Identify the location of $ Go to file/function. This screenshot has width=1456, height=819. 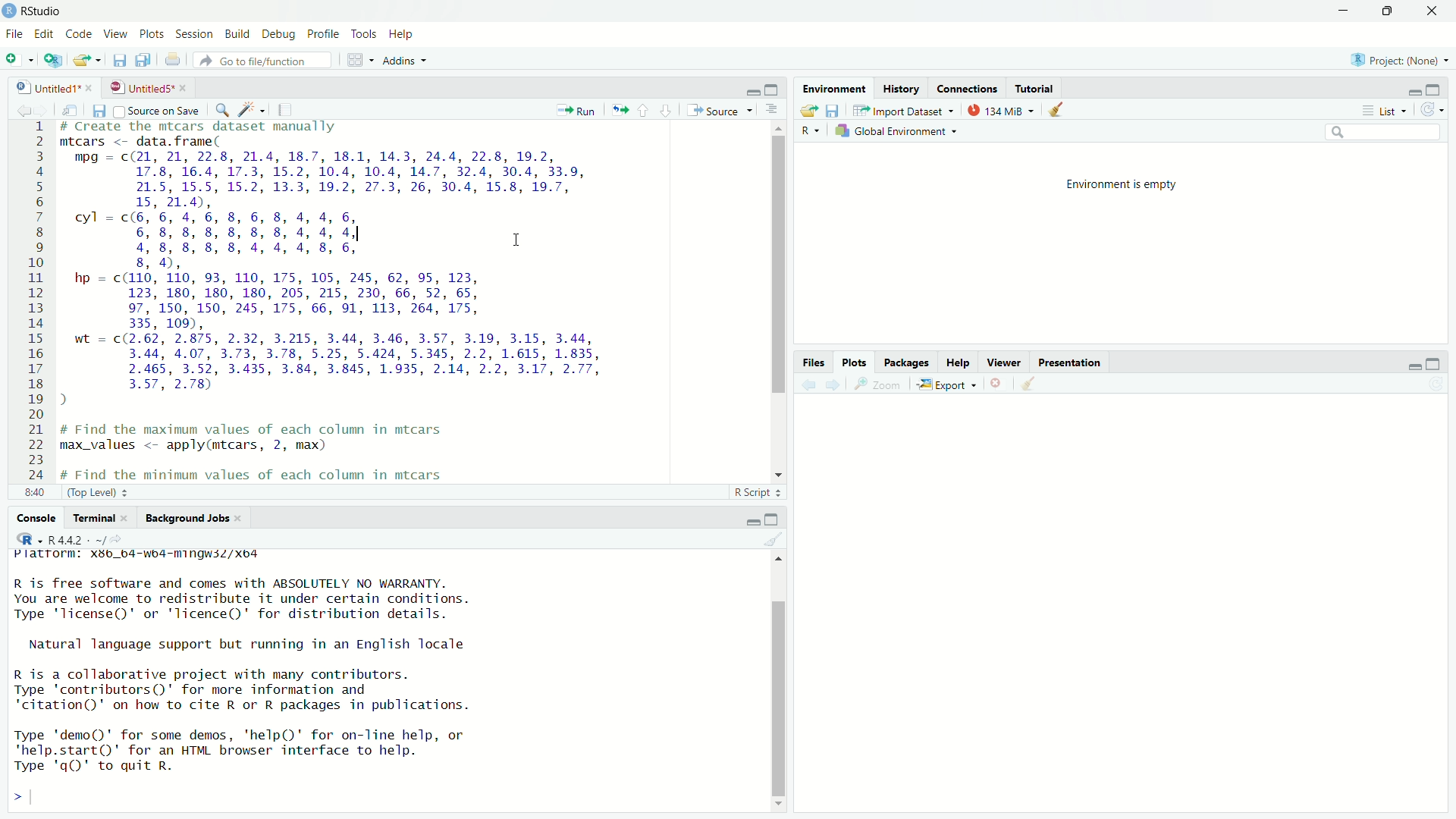
(257, 61).